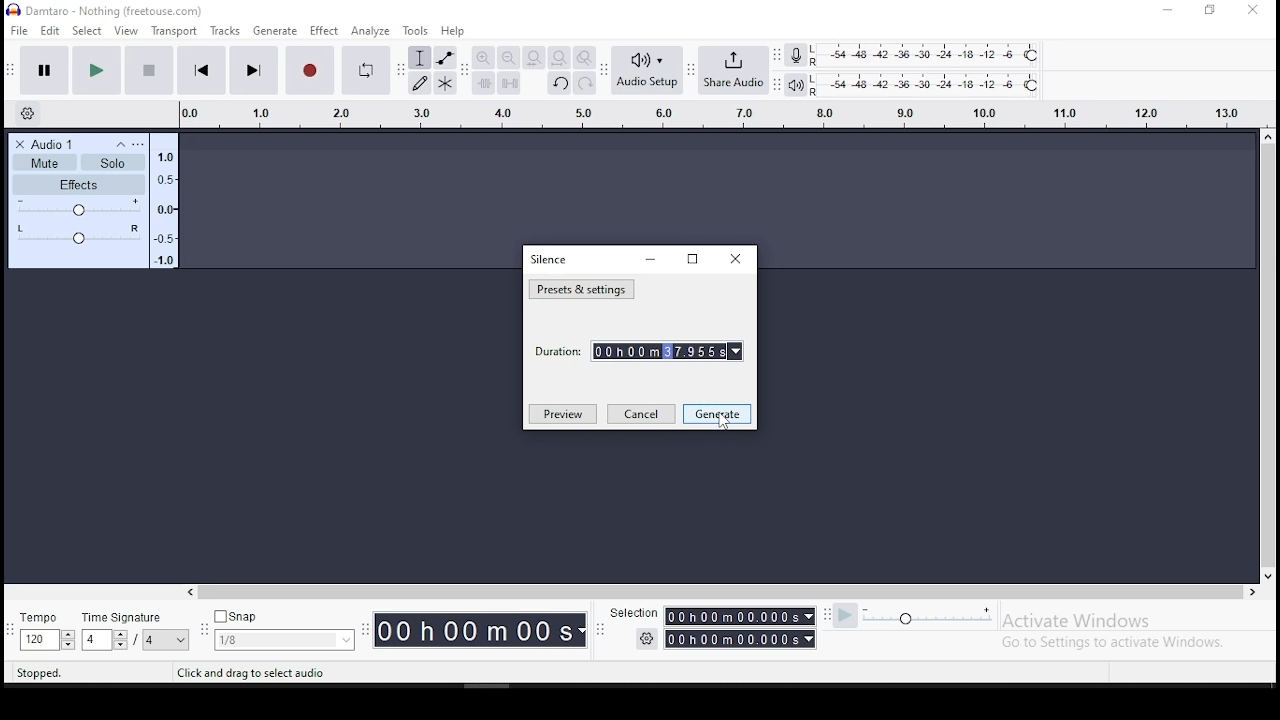 The width and height of the screenshot is (1280, 720). What do you see at coordinates (37, 631) in the screenshot?
I see `tempo` at bounding box center [37, 631].